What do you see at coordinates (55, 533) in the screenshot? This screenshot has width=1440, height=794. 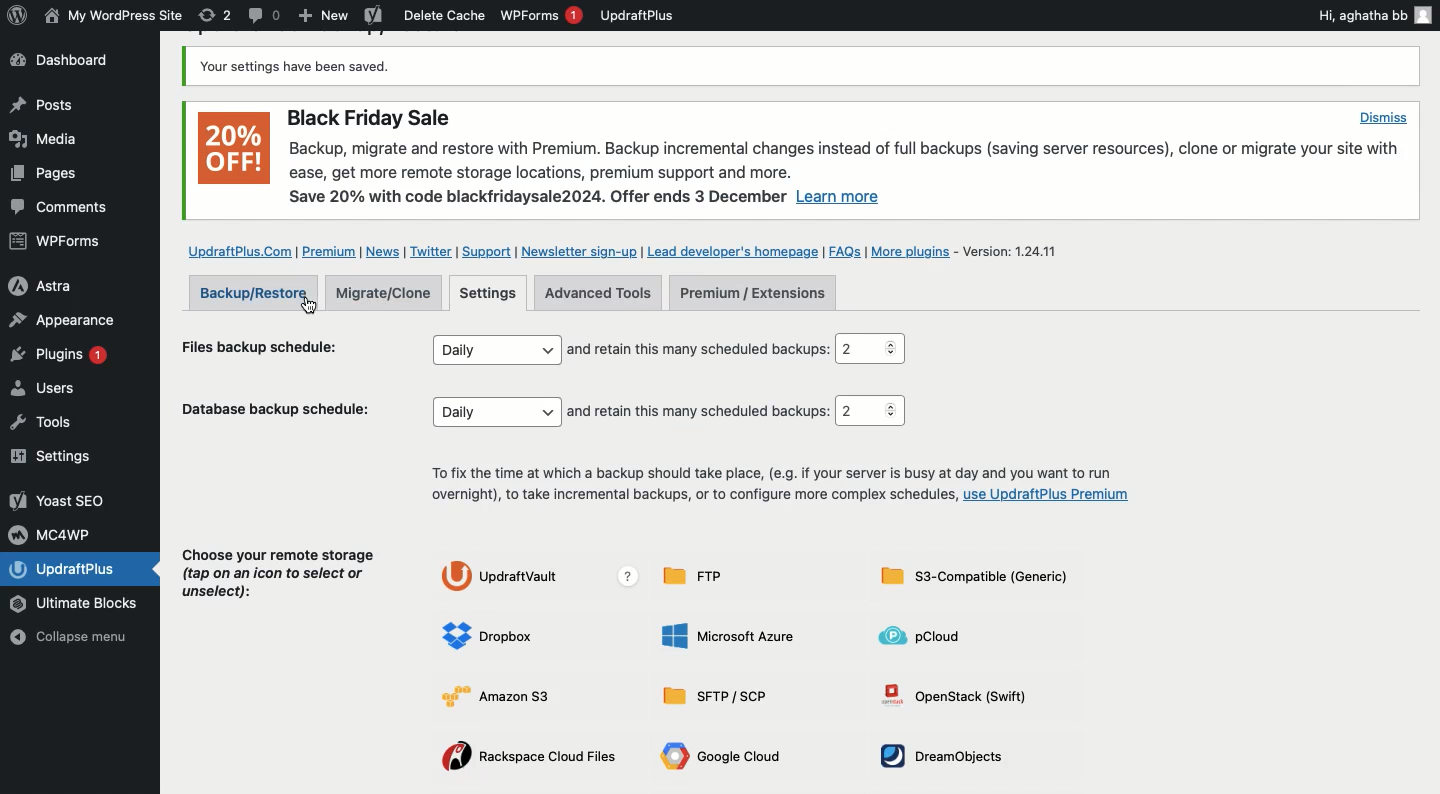 I see `MC4WP` at bounding box center [55, 533].